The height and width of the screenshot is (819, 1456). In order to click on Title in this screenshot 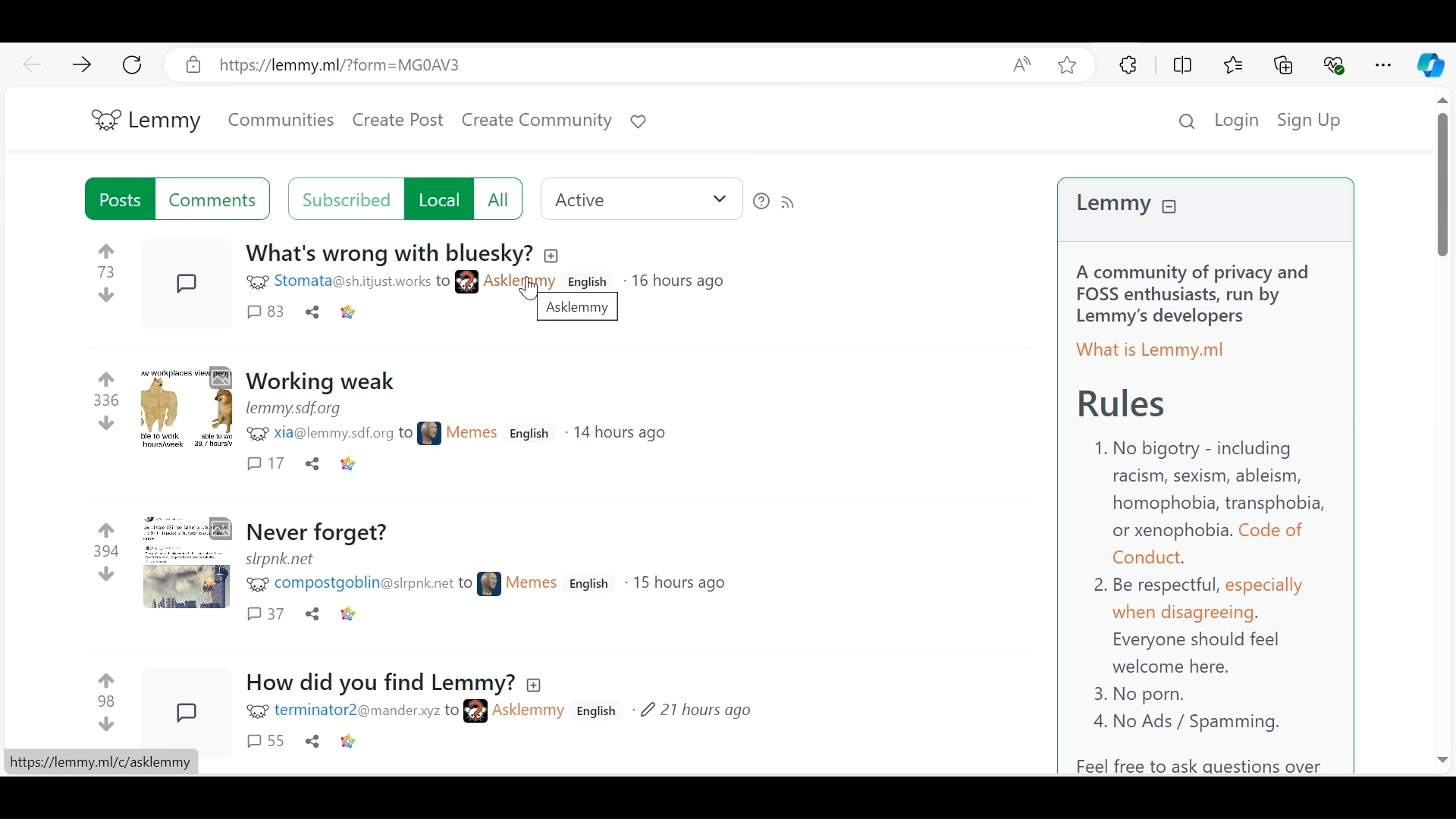, I will do `click(325, 382)`.